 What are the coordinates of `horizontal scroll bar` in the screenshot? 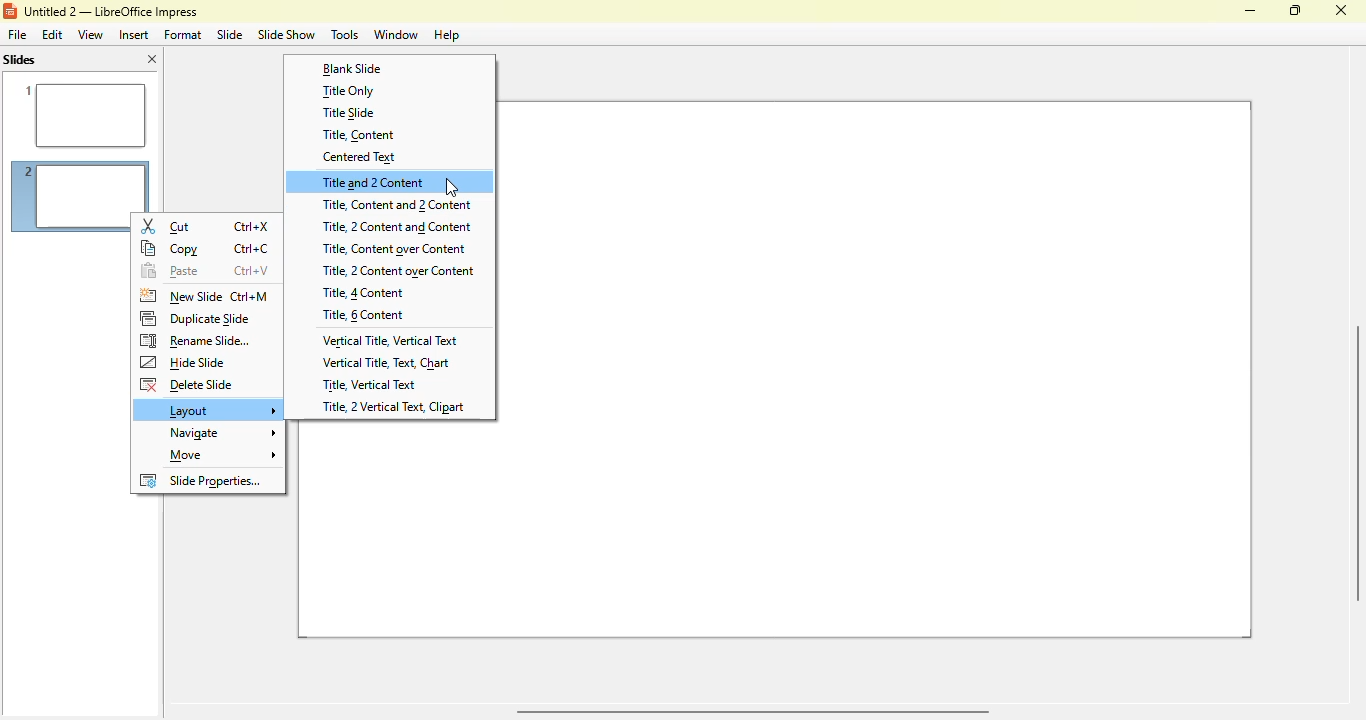 It's located at (750, 712).